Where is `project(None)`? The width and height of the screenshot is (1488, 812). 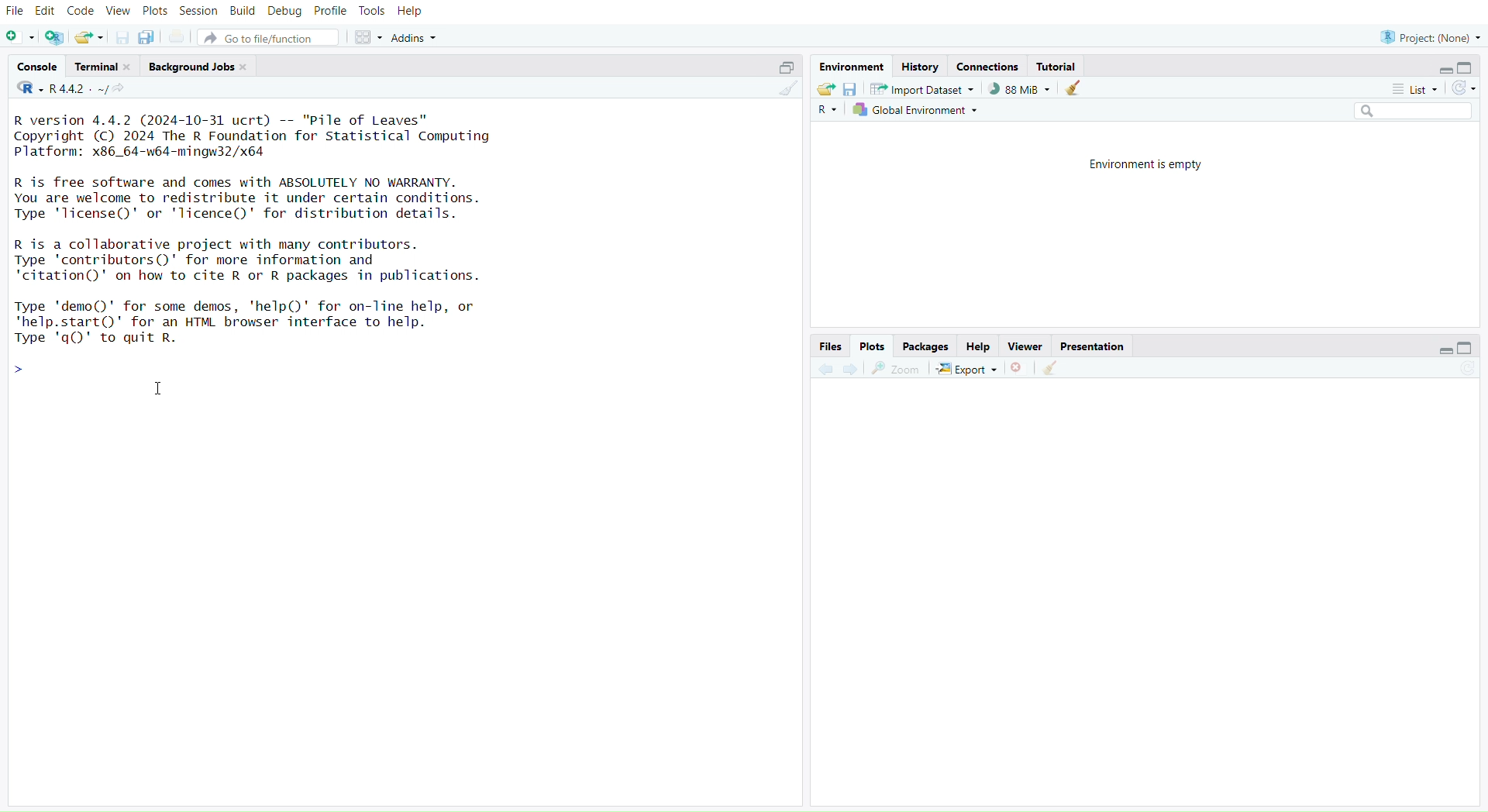 project(None) is located at coordinates (1428, 38).